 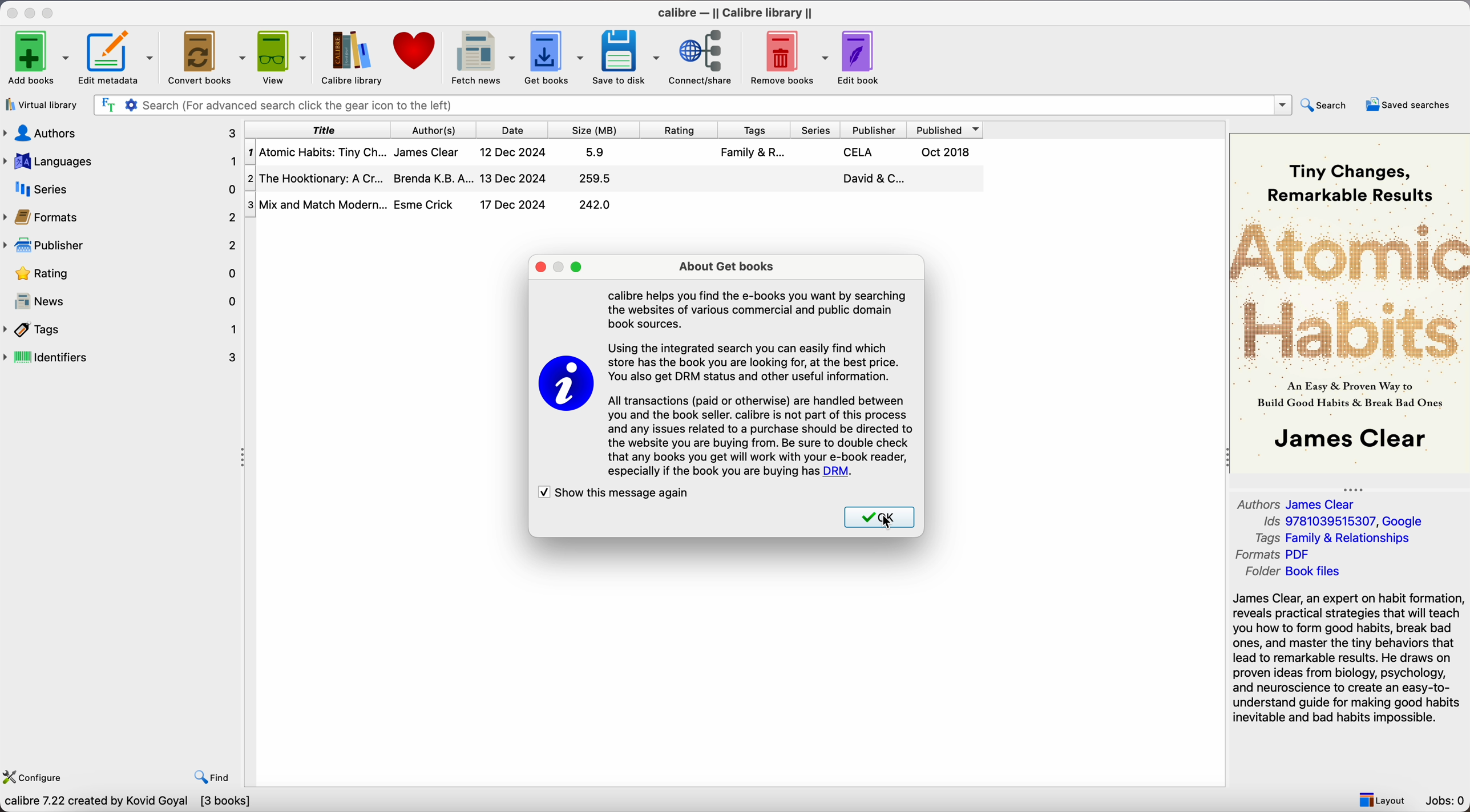 What do you see at coordinates (434, 178) in the screenshot?
I see `Brenda K.B.A...` at bounding box center [434, 178].